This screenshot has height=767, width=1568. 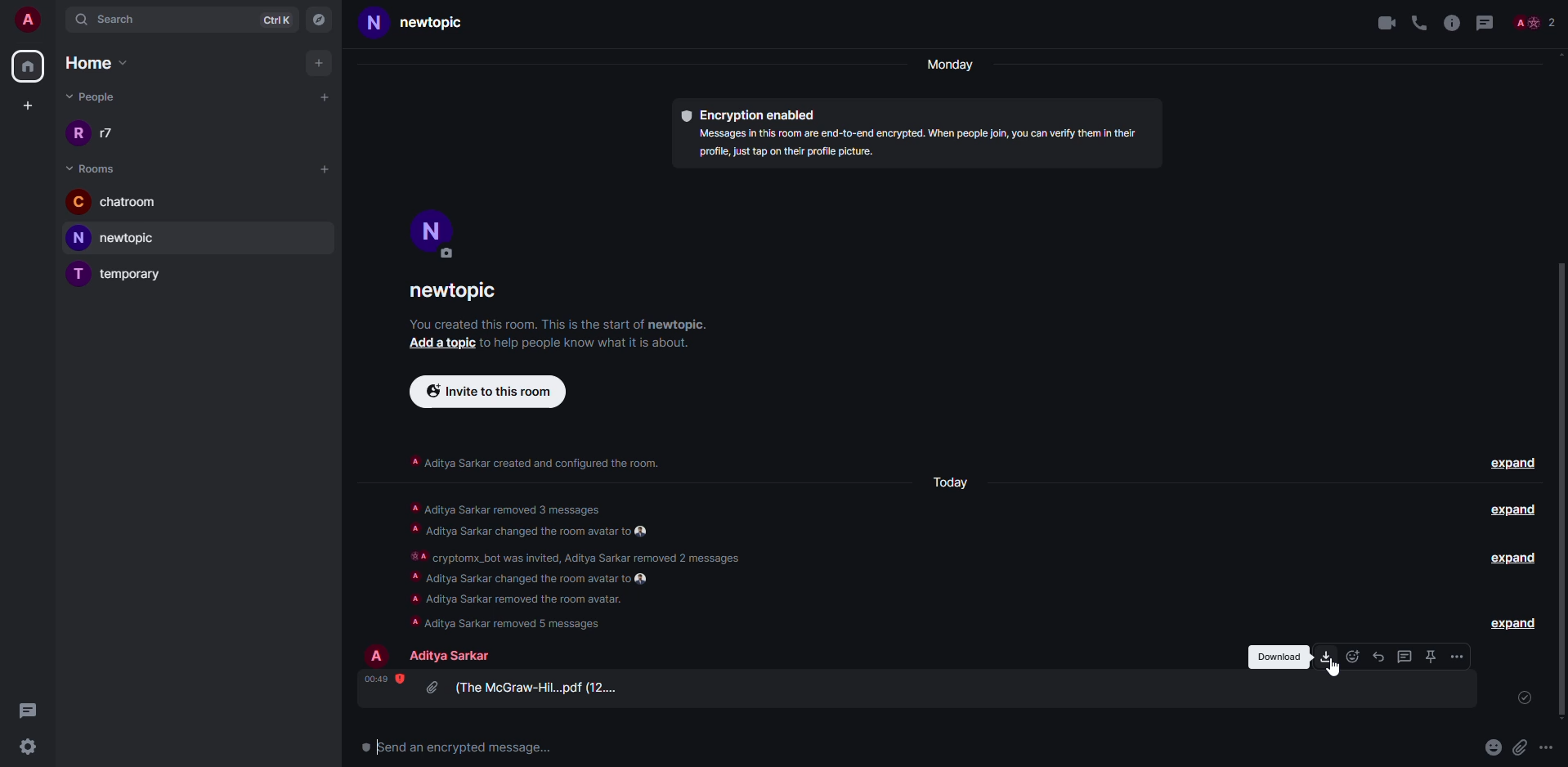 What do you see at coordinates (378, 655) in the screenshot?
I see `profile` at bounding box center [378, 655].